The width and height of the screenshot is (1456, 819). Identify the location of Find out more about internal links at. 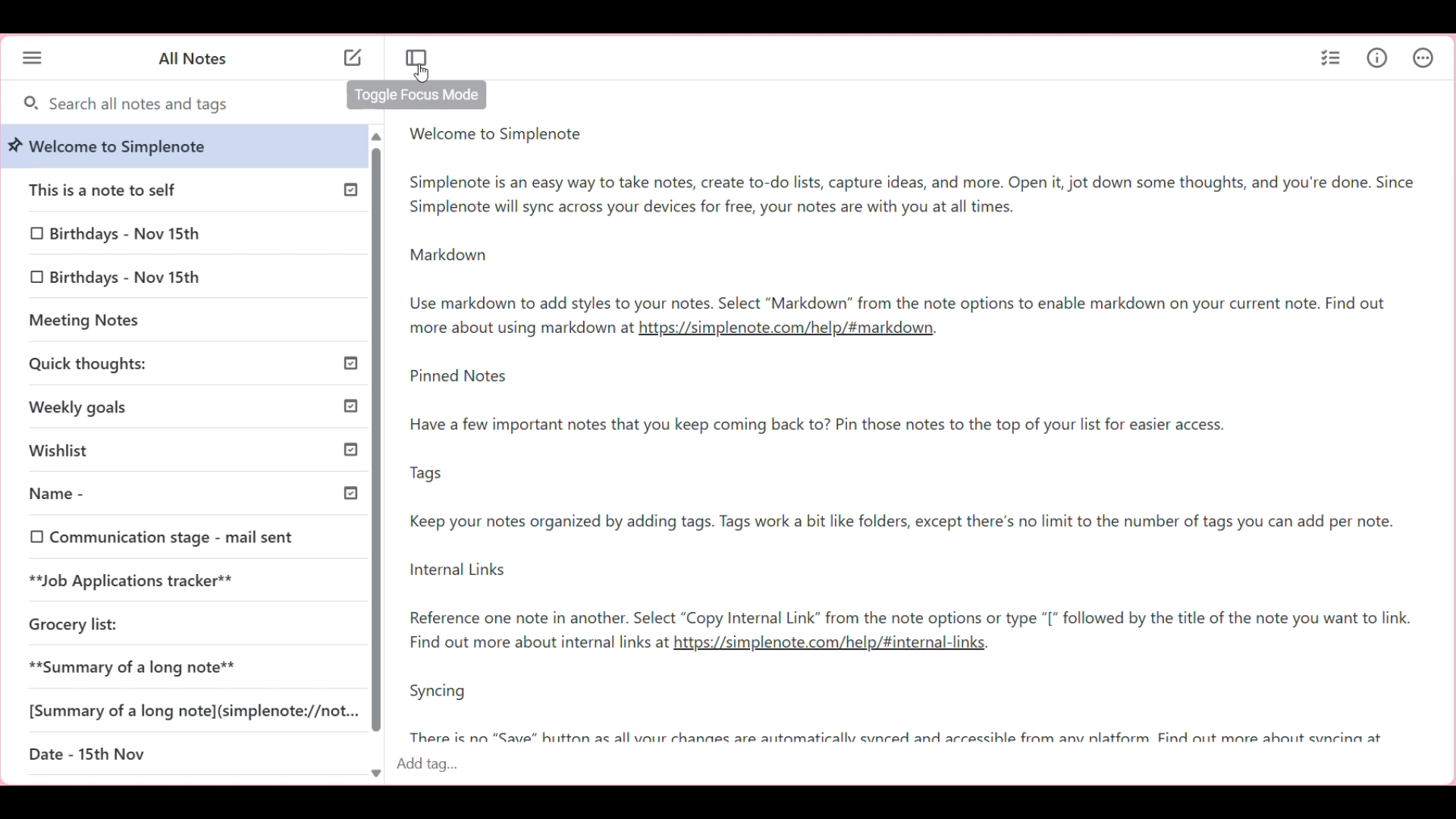
(538, 644).